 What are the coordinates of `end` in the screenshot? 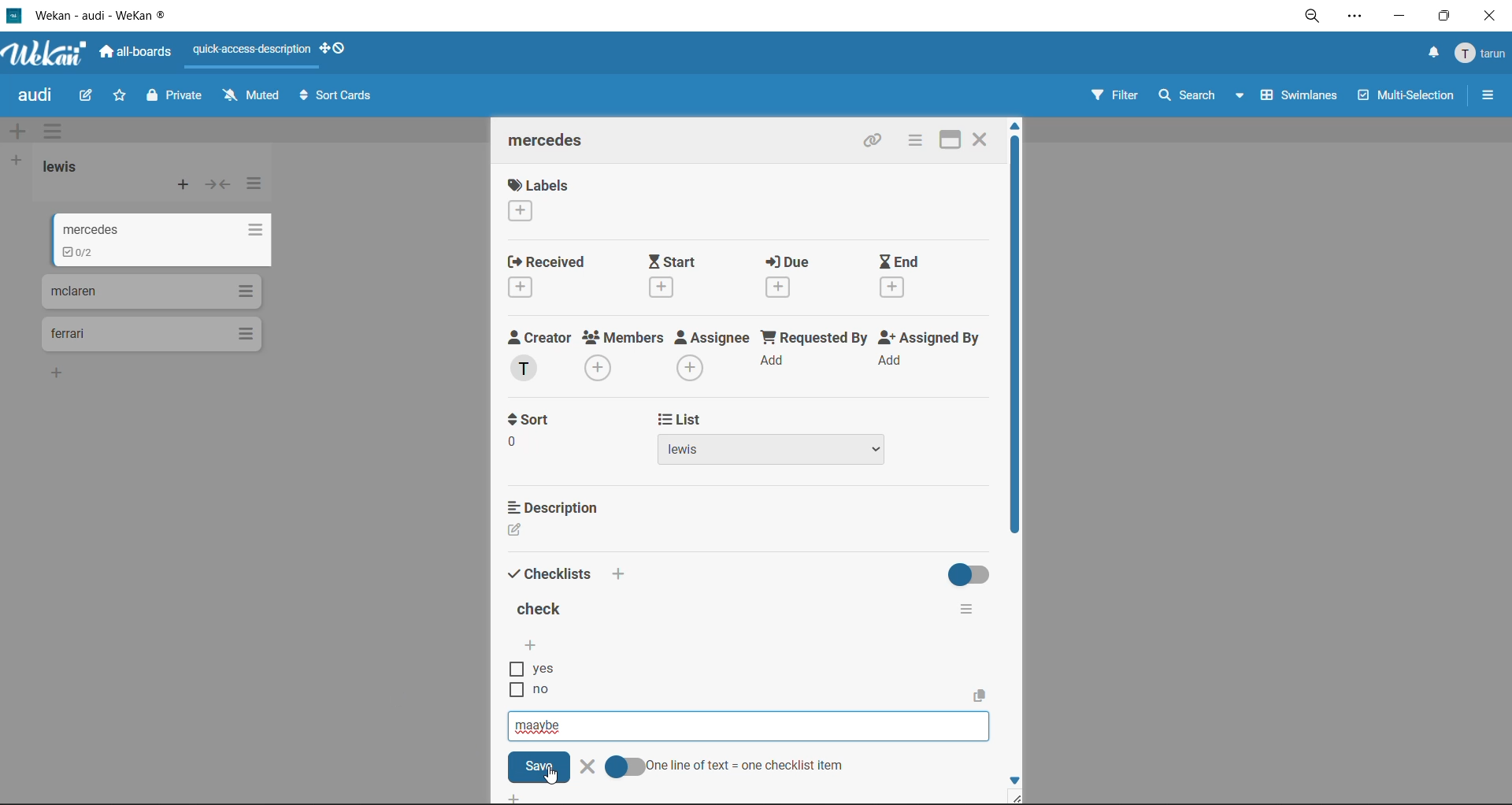 It's located at (906, 261).